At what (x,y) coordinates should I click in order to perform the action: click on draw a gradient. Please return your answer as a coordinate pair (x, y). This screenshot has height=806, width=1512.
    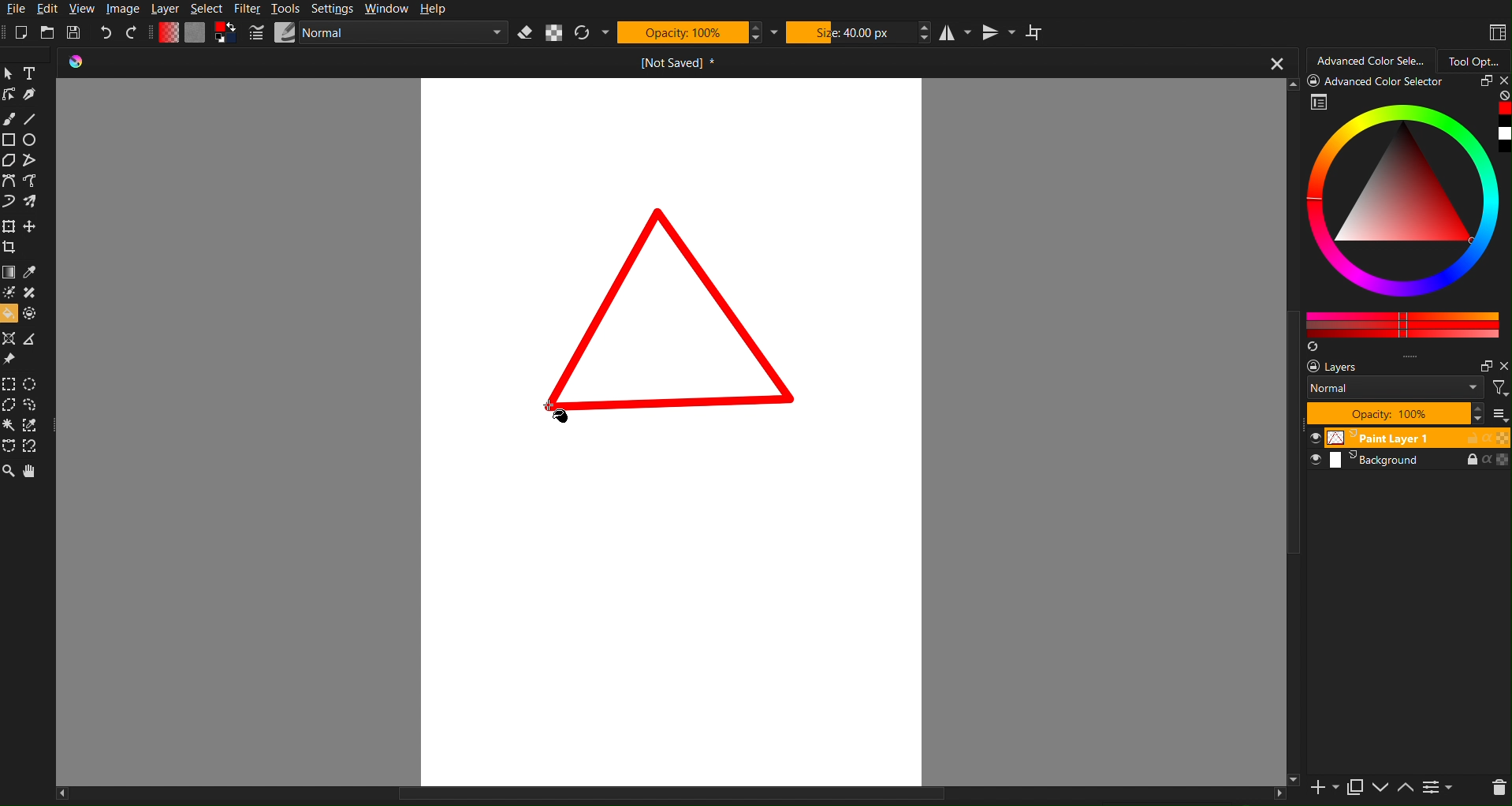
    Looking at the image, I should click on (9, 272).